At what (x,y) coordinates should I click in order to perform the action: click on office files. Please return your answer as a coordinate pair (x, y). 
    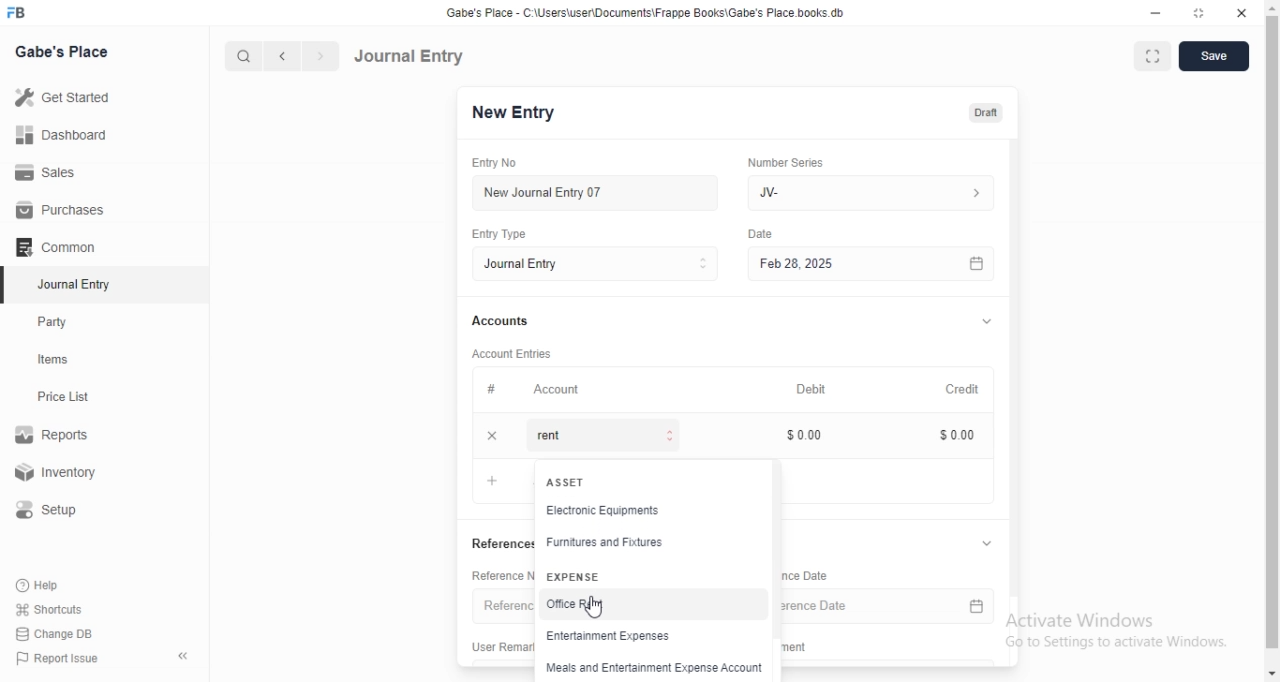
    Looking at the image, I should click on (575, 606).